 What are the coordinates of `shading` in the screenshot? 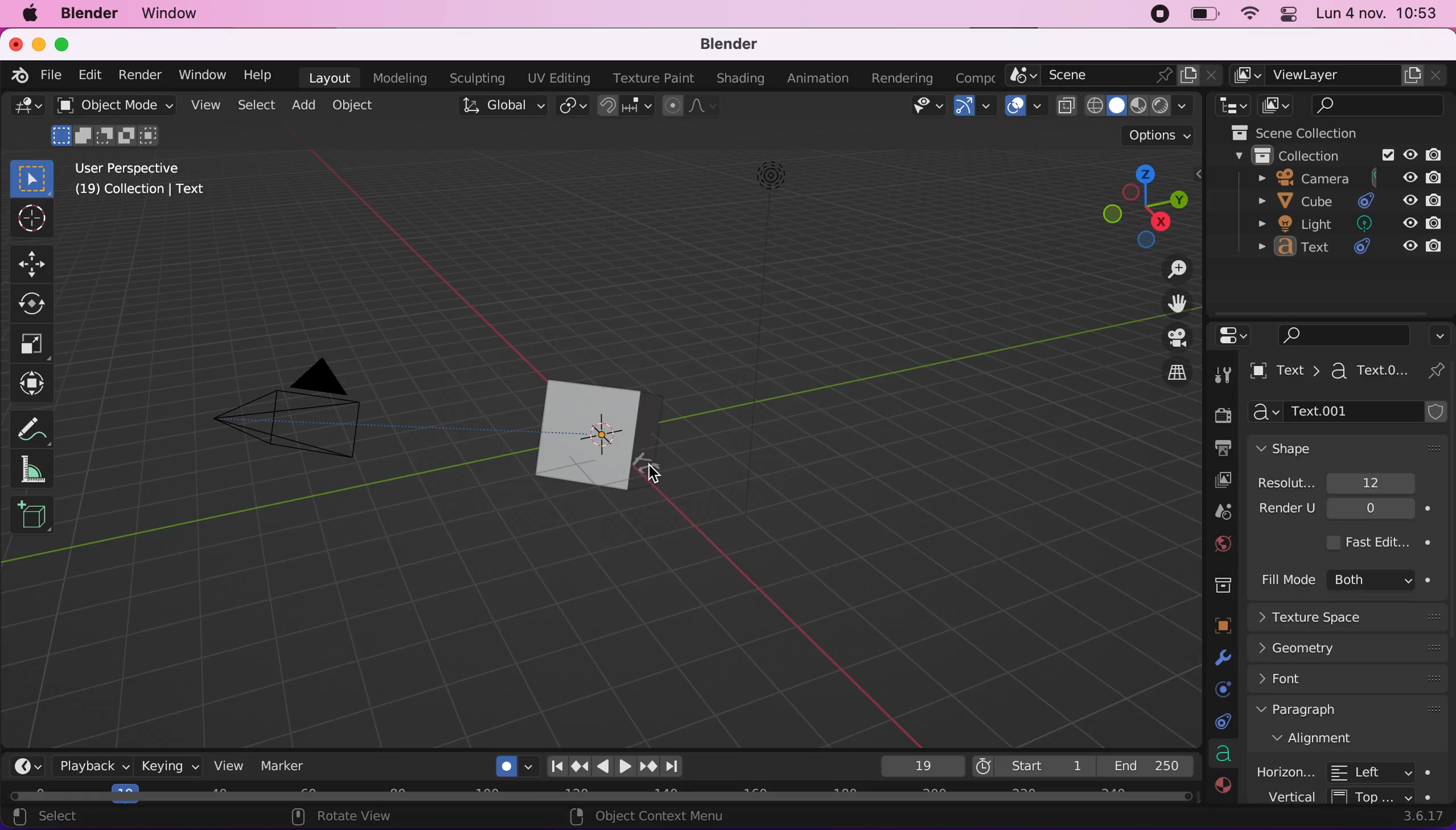 It's located at (740, 79).